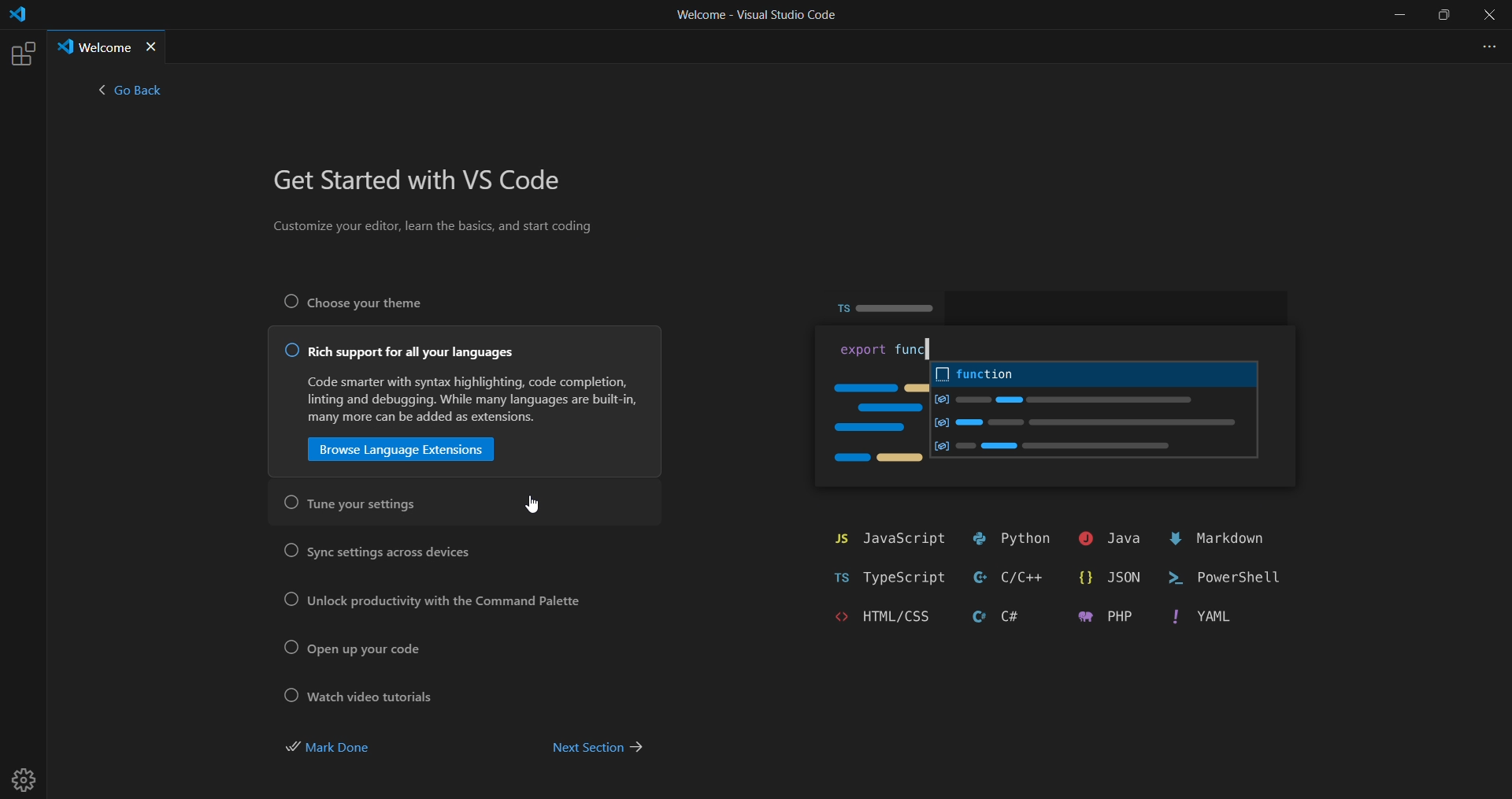  What do you see at coordinates (1446, 16) in the screenshot?
I see `maximize` at bounding box center [1446, 16].